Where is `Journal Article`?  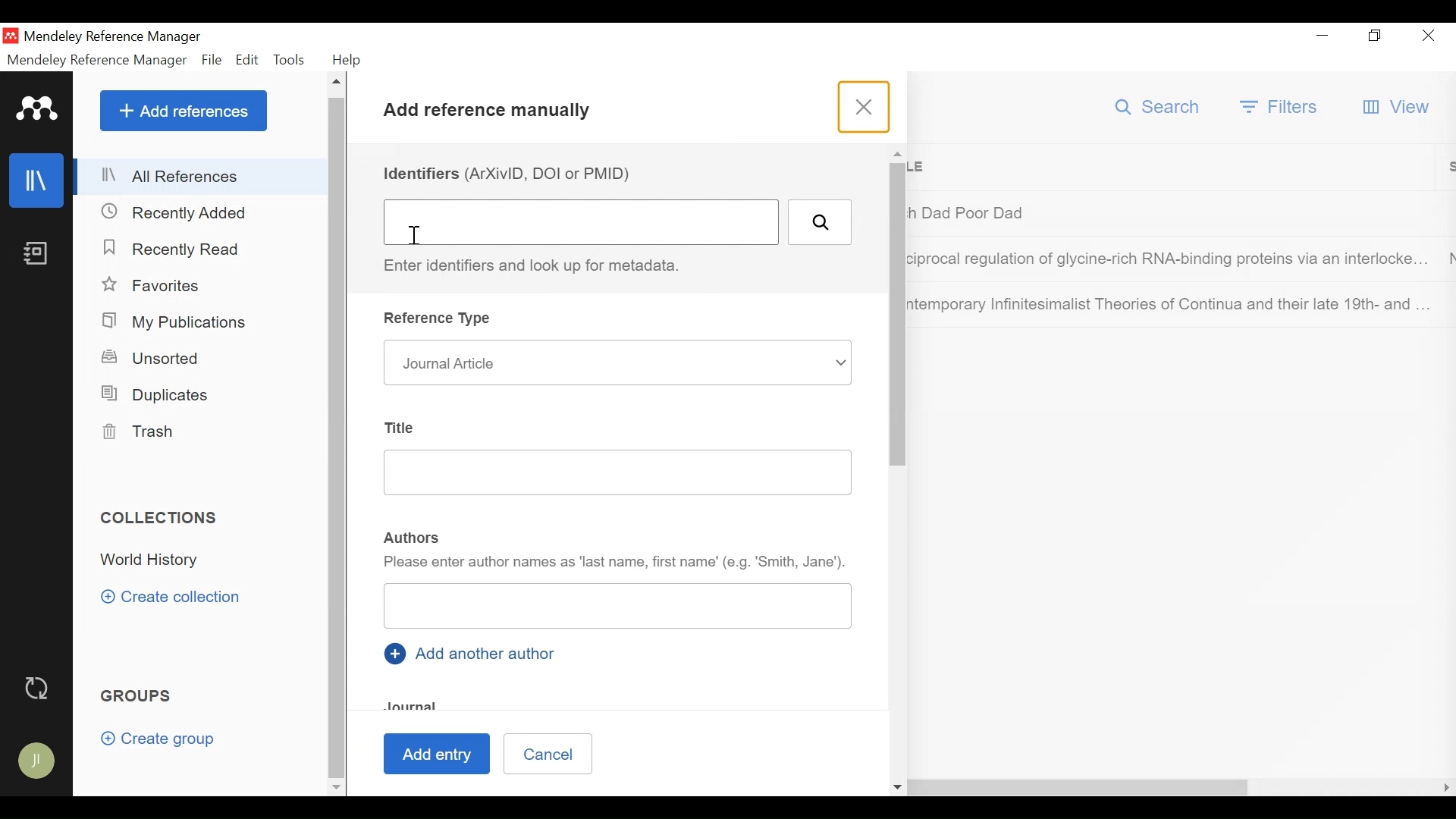 Journal Article is located at coordinates (615, 362).